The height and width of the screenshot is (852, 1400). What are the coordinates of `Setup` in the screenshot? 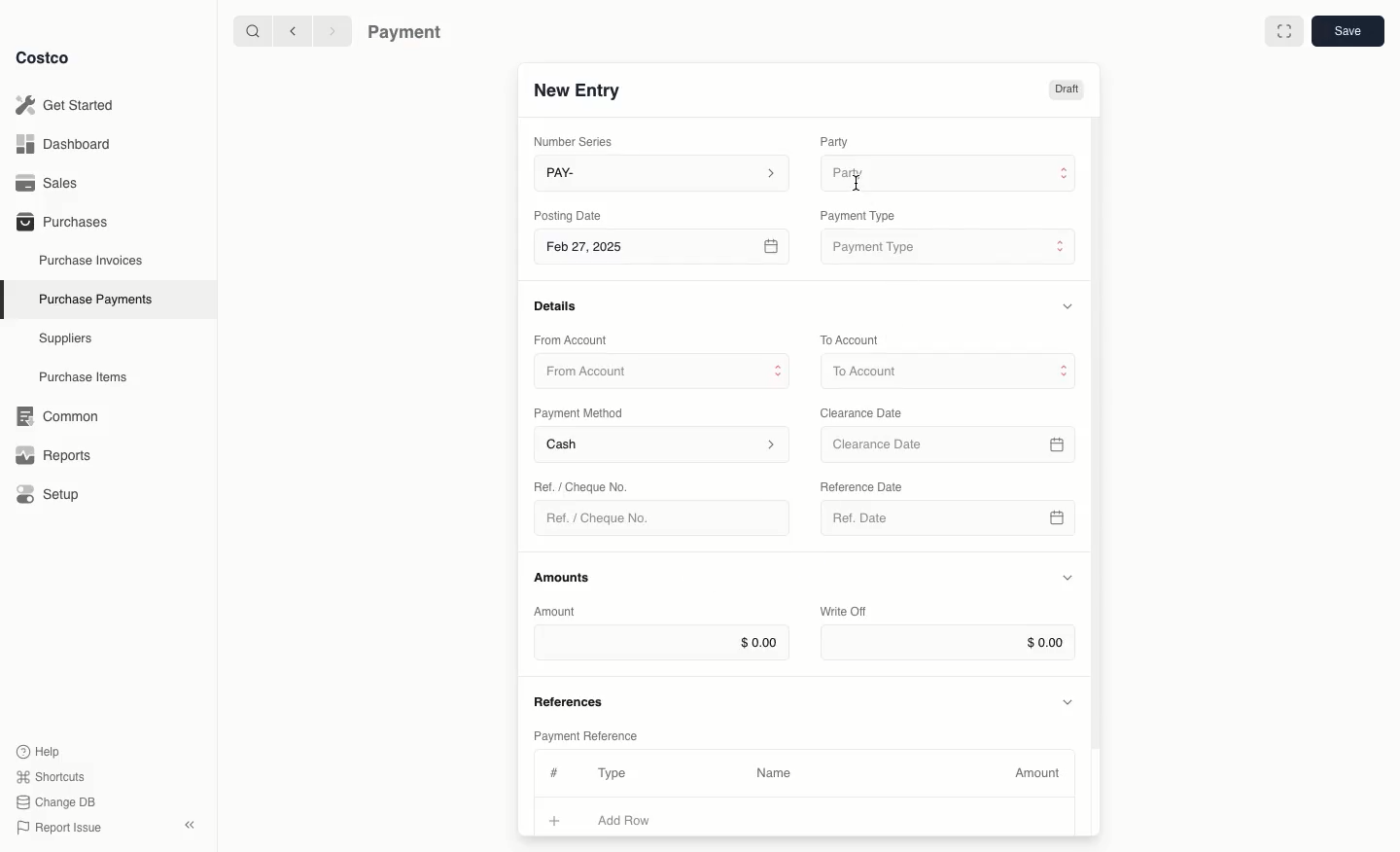 It's located at (54, 496).